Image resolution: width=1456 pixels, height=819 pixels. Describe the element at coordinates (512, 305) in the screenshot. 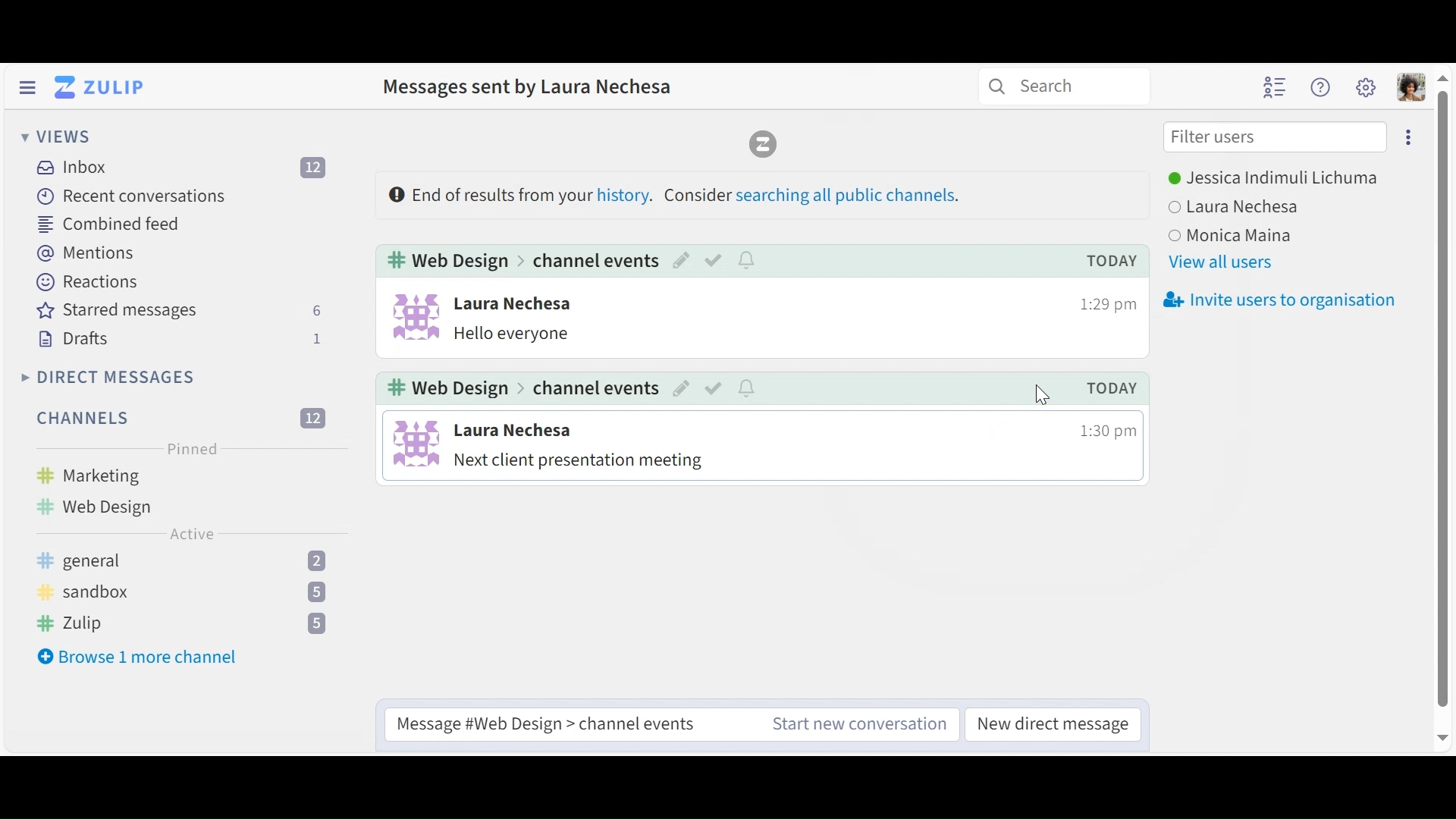

I see `user name` at that location.